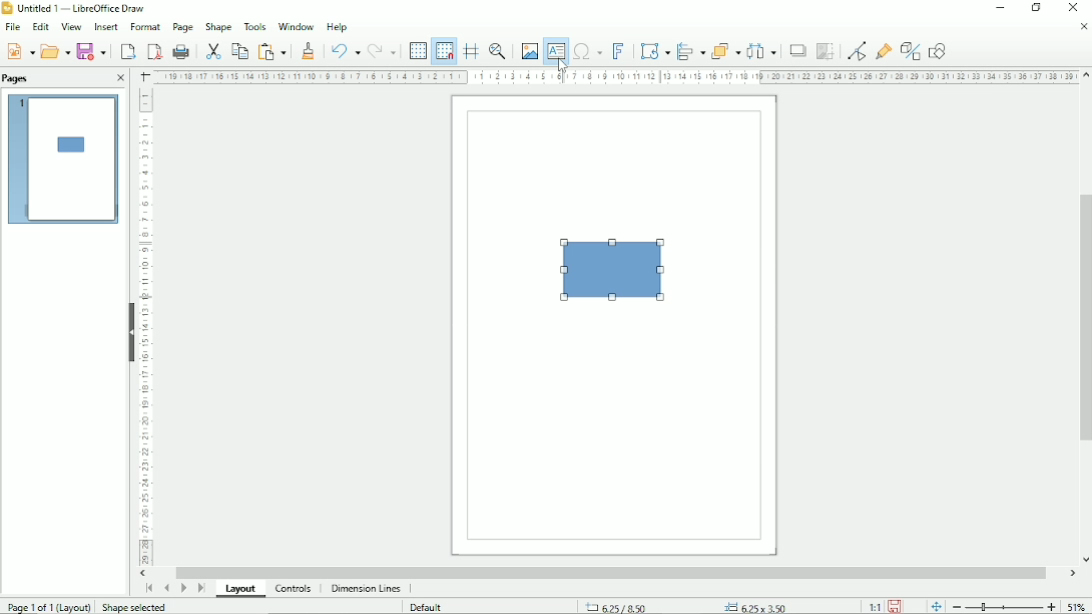 The image size is (1092, 614). I want to click on Undo, so click(344, 49).